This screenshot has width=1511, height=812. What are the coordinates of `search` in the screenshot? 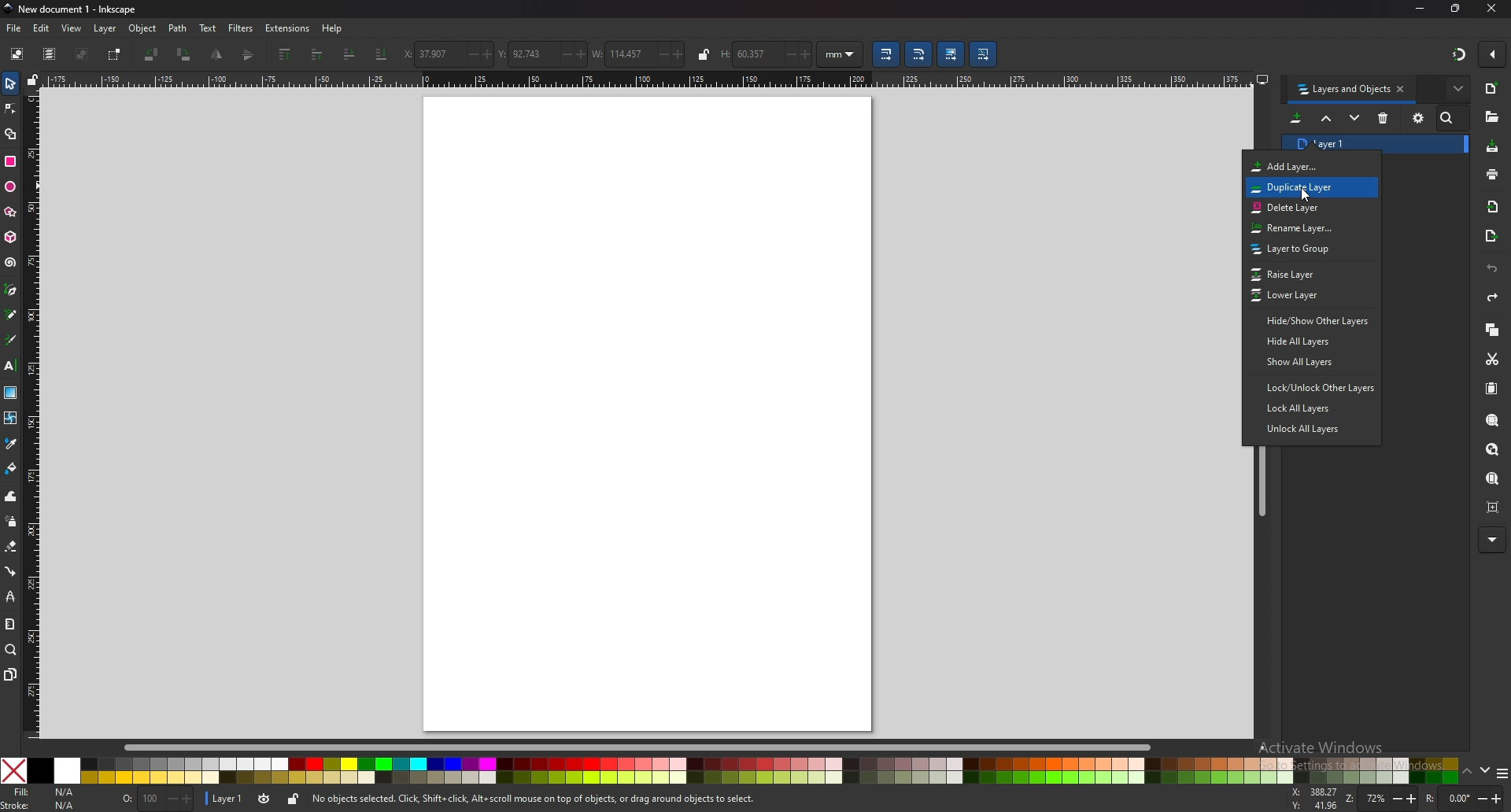 It's located at (1449, 118).